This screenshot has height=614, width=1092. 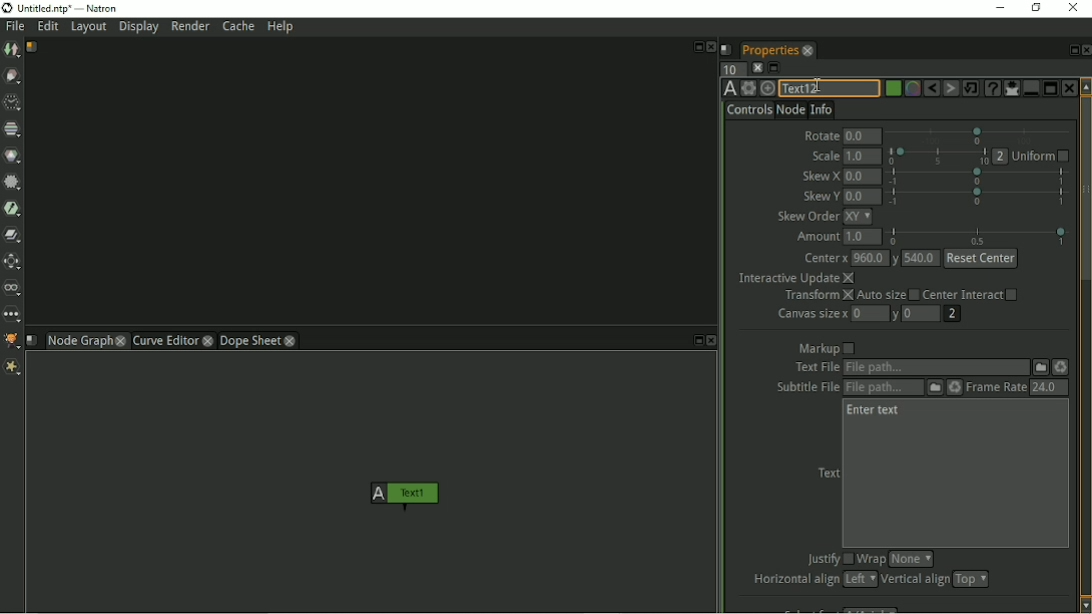 I want to click on Maximize, so click(x=1050, y=87).